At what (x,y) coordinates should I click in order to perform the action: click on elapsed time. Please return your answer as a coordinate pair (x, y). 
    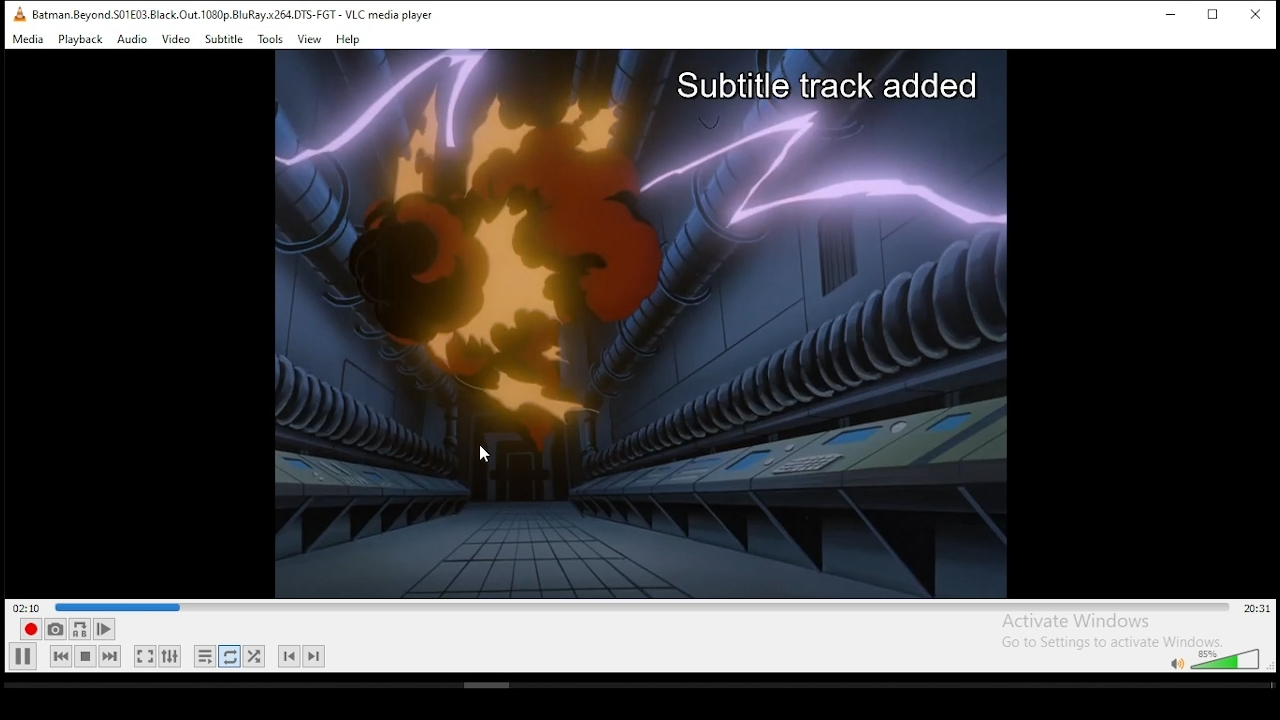
    Looking at the image, I should click on (26, 606).